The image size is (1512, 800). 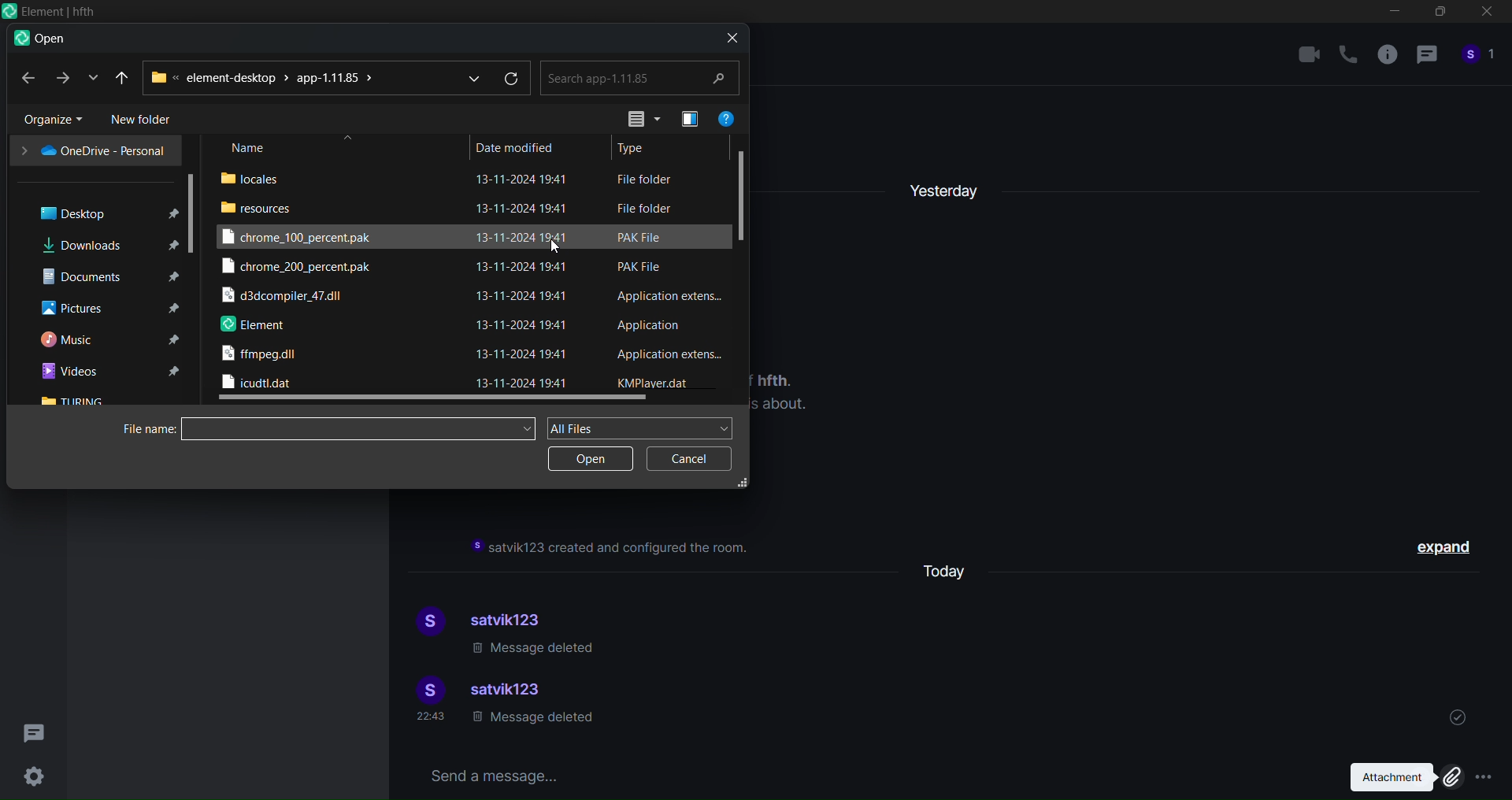 I want to click on path, so click(x=265, y=77).